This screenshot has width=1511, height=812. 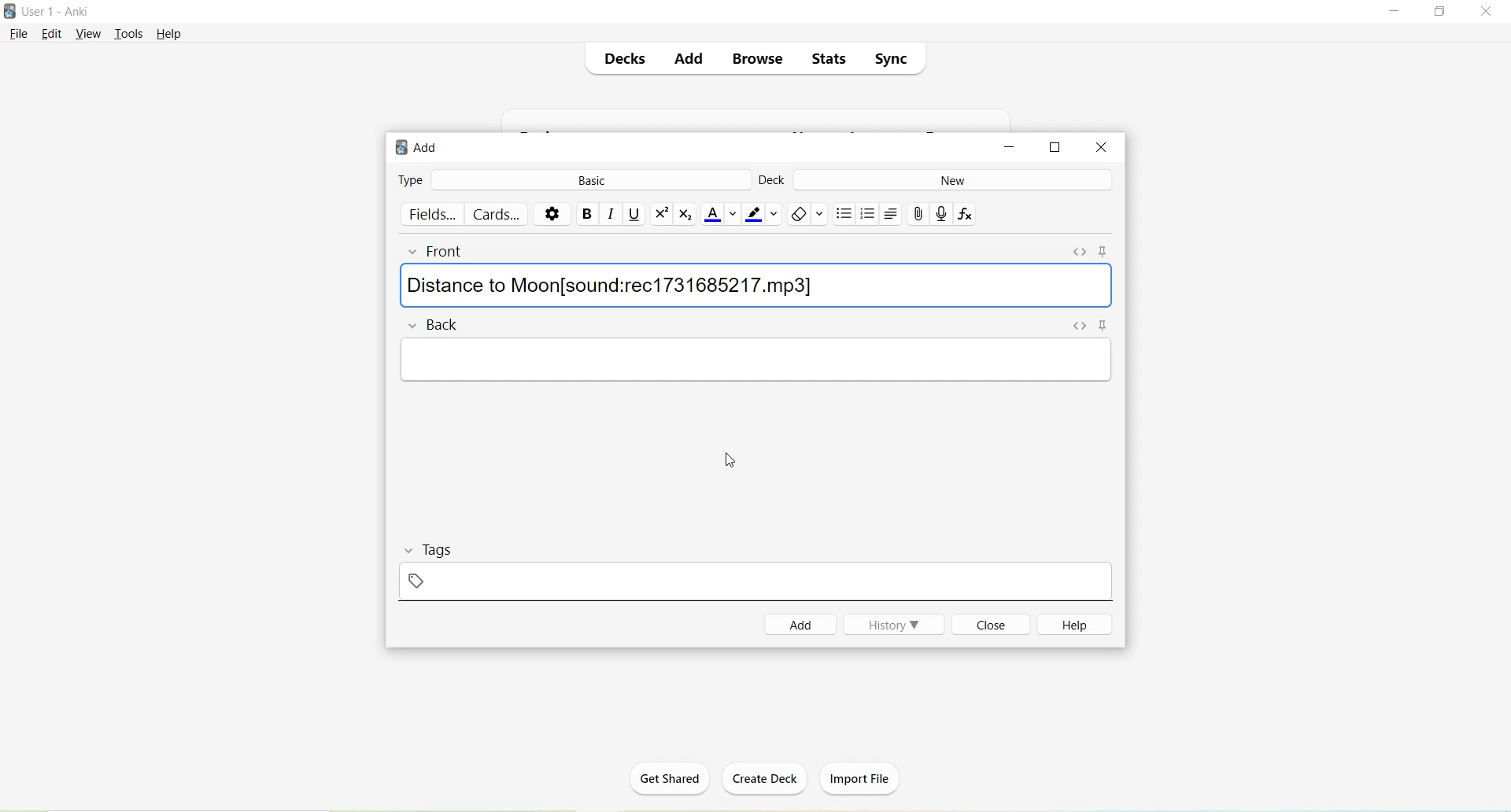 What do you see at coordinates (953, 180) in the screenshot?
I see `New` at bounding box center [953, 180].